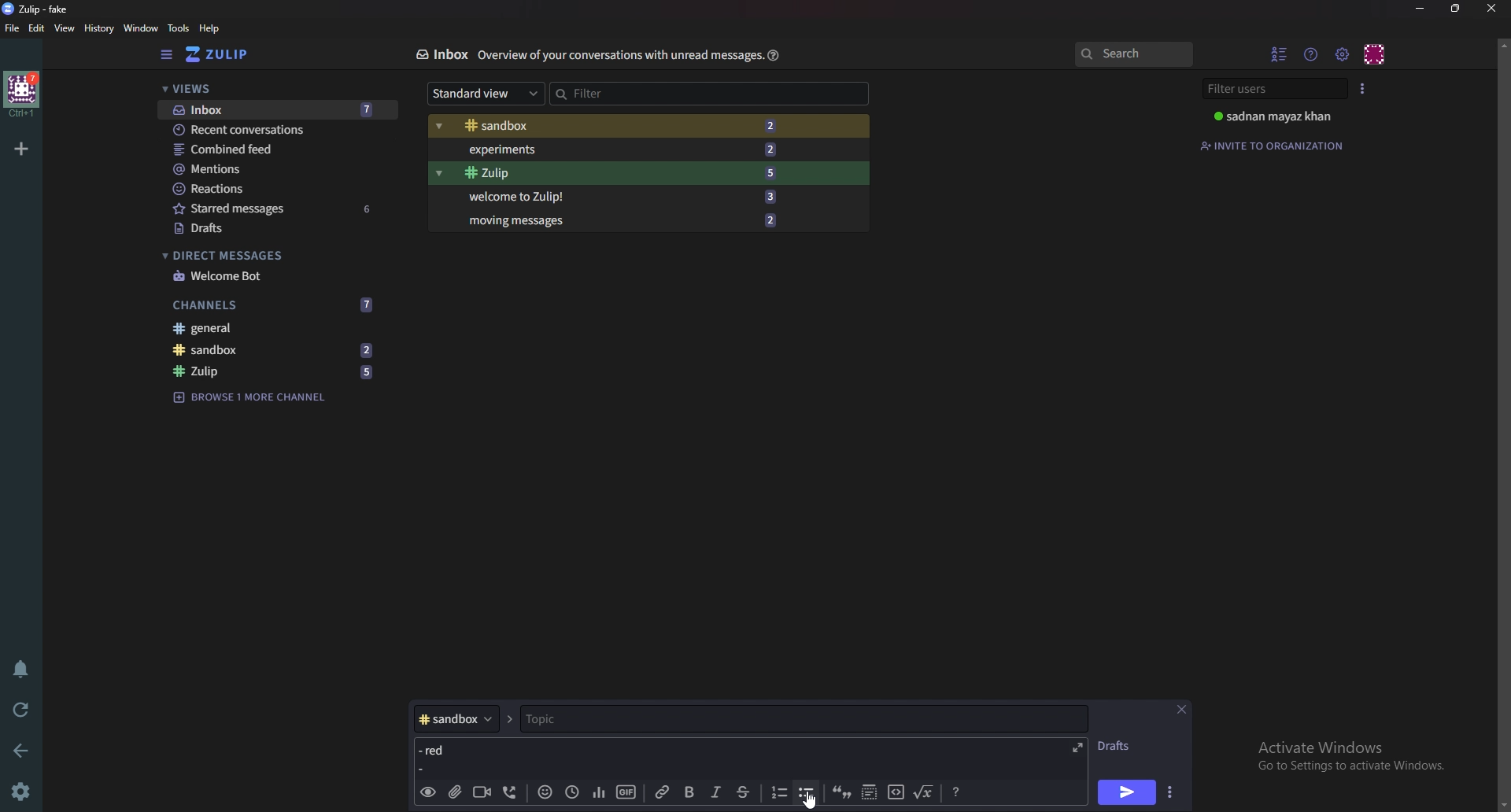 This screenshot has height=812, width=1511. Describe the element at coordinates (870, 791) in the screenshot. I see `Spoiler` at that location.